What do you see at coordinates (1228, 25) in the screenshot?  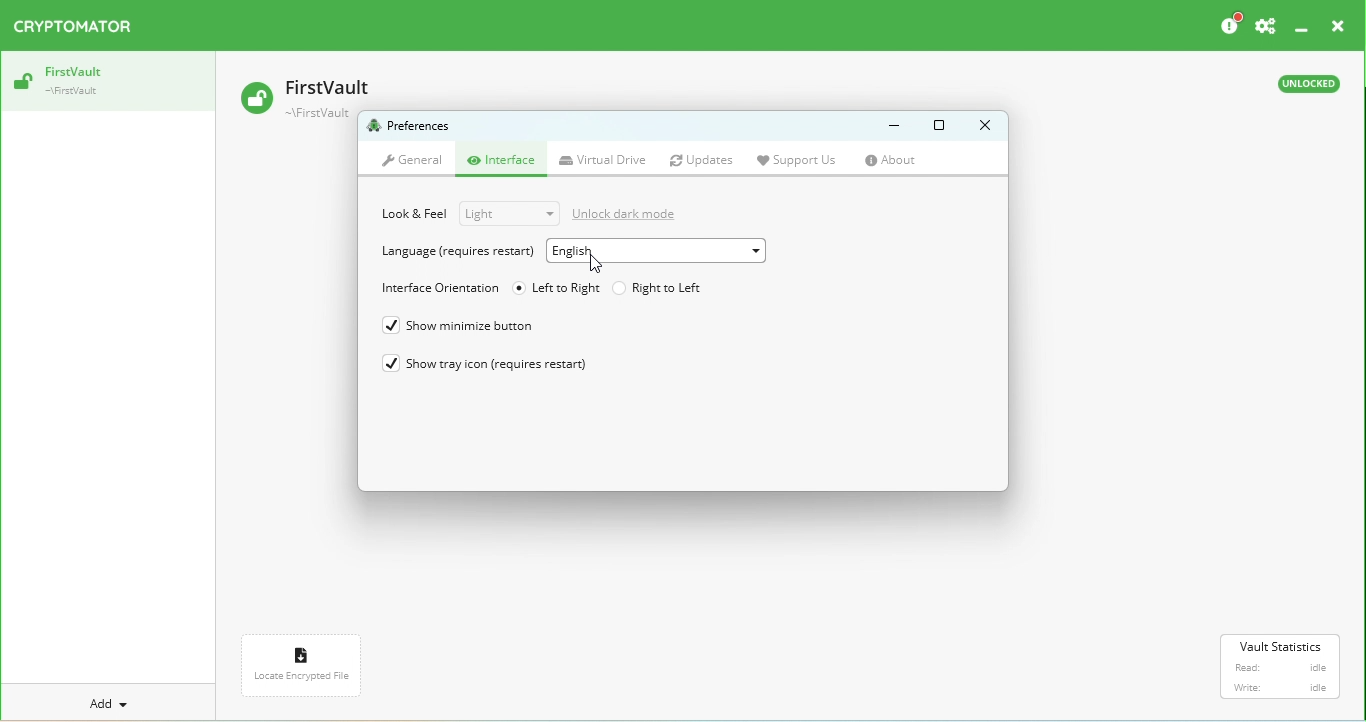 I see `Please considder donating` at bounding box center [1228, 25].